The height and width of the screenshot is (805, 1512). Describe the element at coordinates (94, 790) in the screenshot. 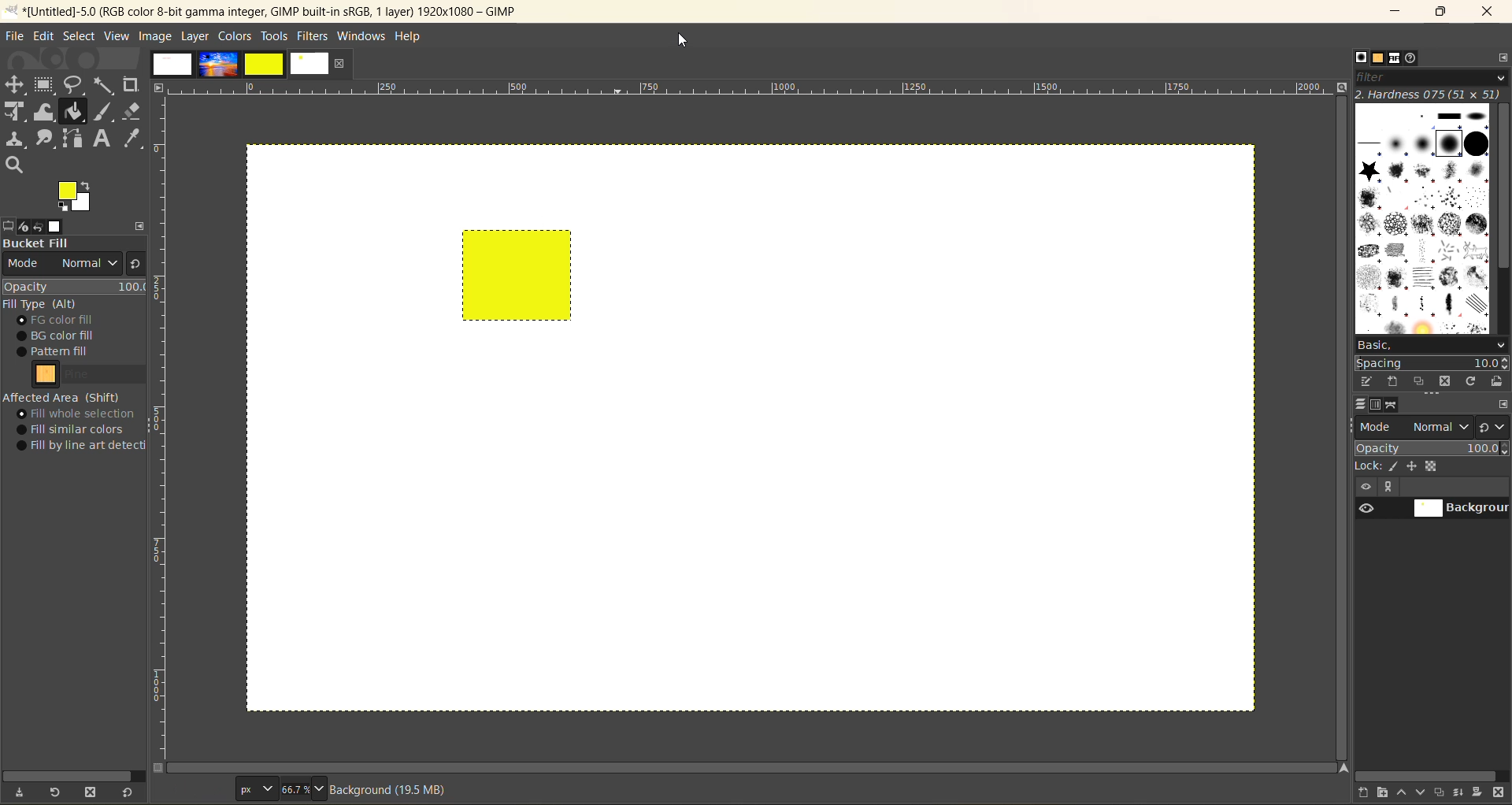

I see `delete tool preset` at that location.